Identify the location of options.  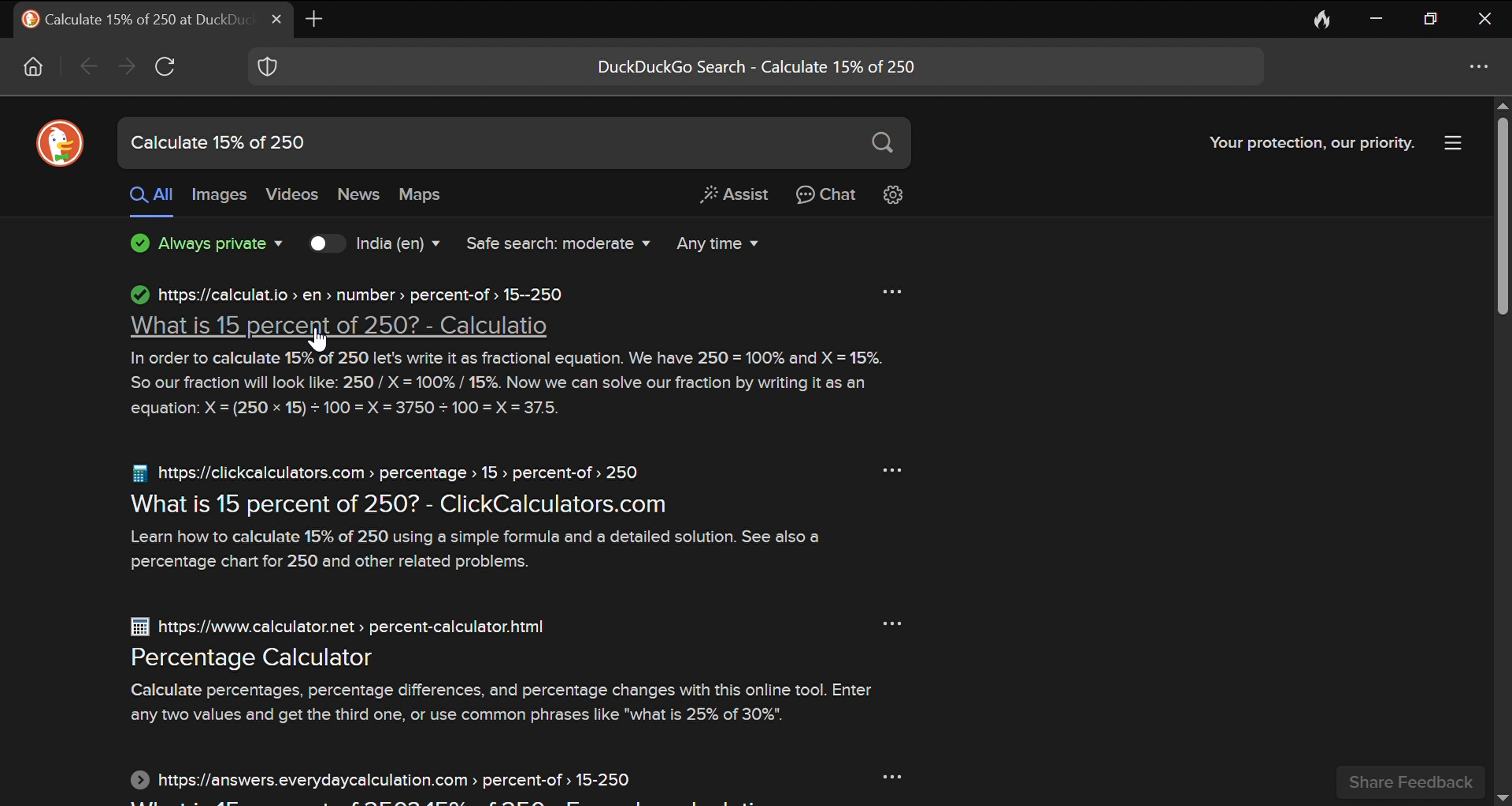
(887, 775).